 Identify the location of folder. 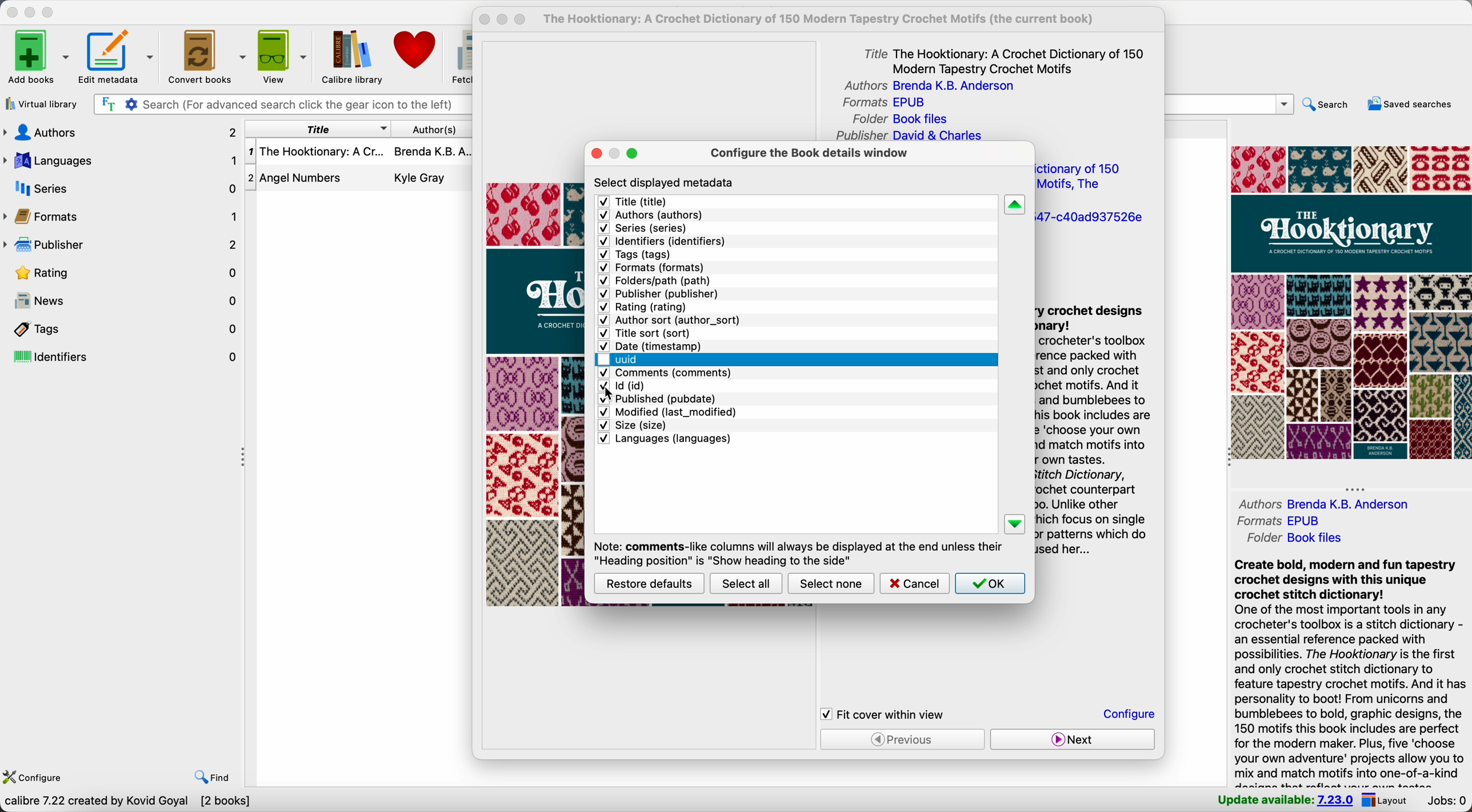
(1299, 538).